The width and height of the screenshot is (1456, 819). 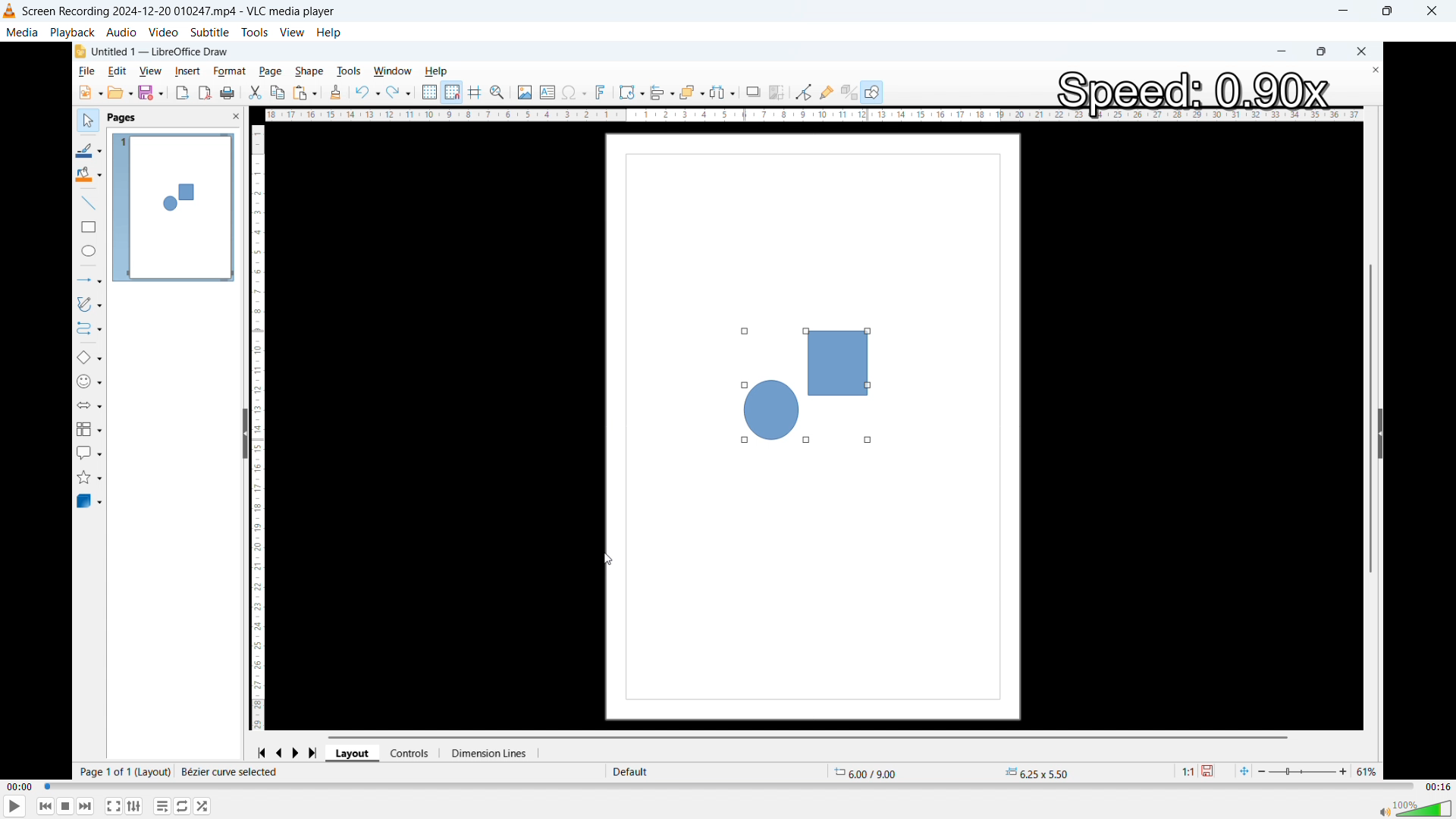 I want to click on help , so click(x=330, y=33).